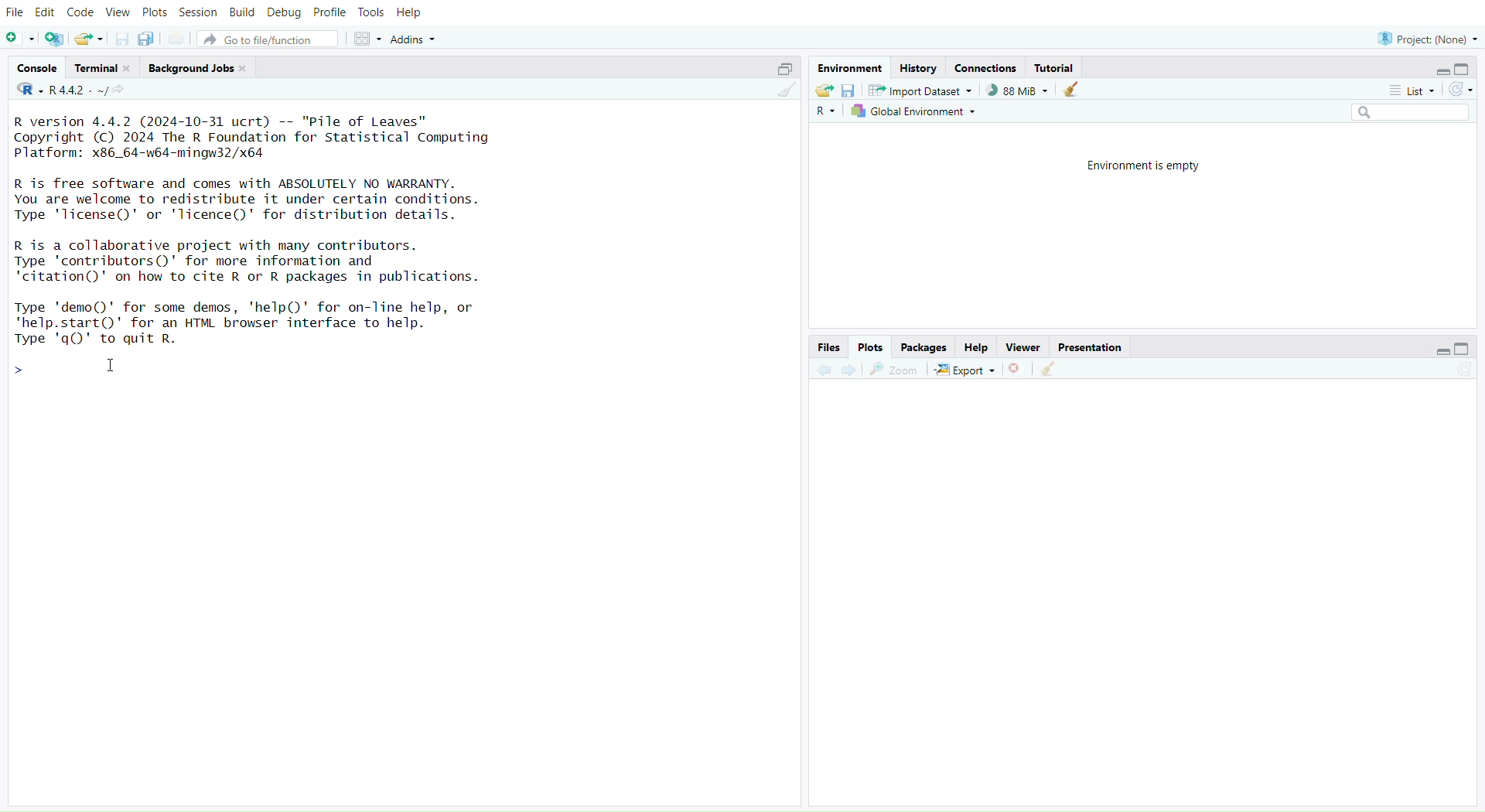  What do you see at coordinates (1089, 346) in the screenshot?
I see `presentation` at bounding box center [1089, 346].